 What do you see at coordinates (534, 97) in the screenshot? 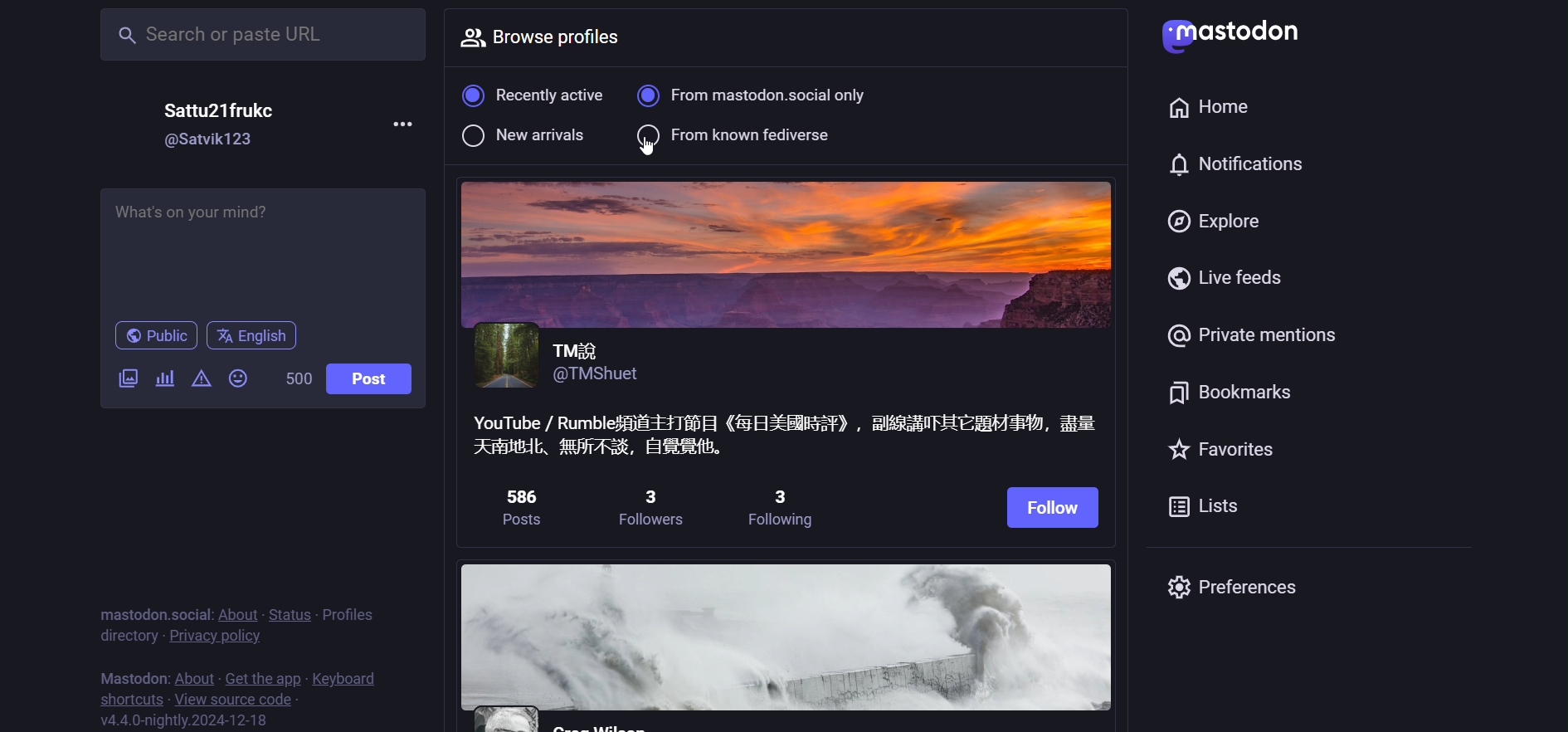
I see `recently active ` at bounding box center [534, 97].